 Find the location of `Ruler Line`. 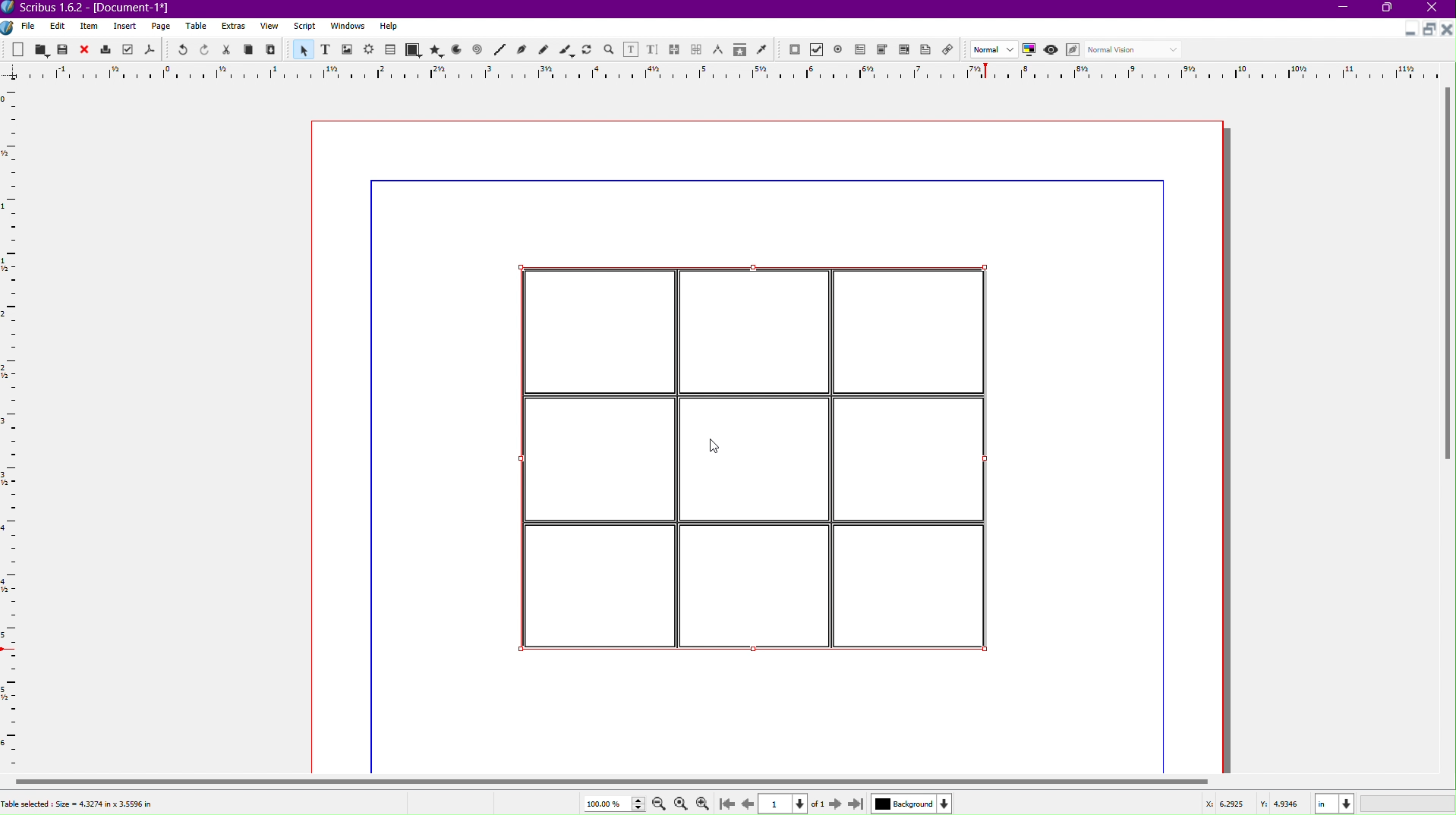

Ruler Line is located at coordinates (728, 71).